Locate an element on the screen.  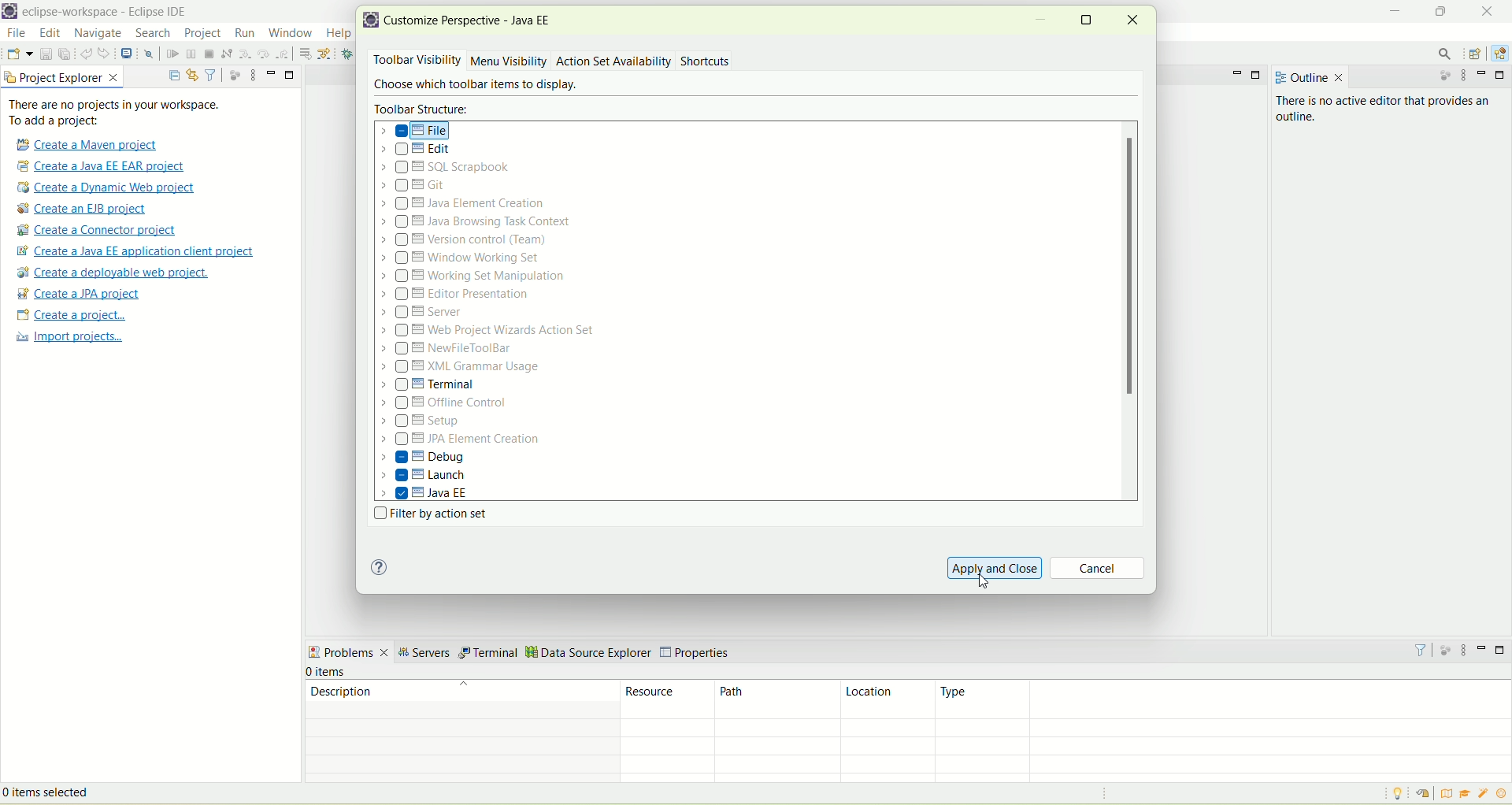
save all is located at coordinates (65, 54).